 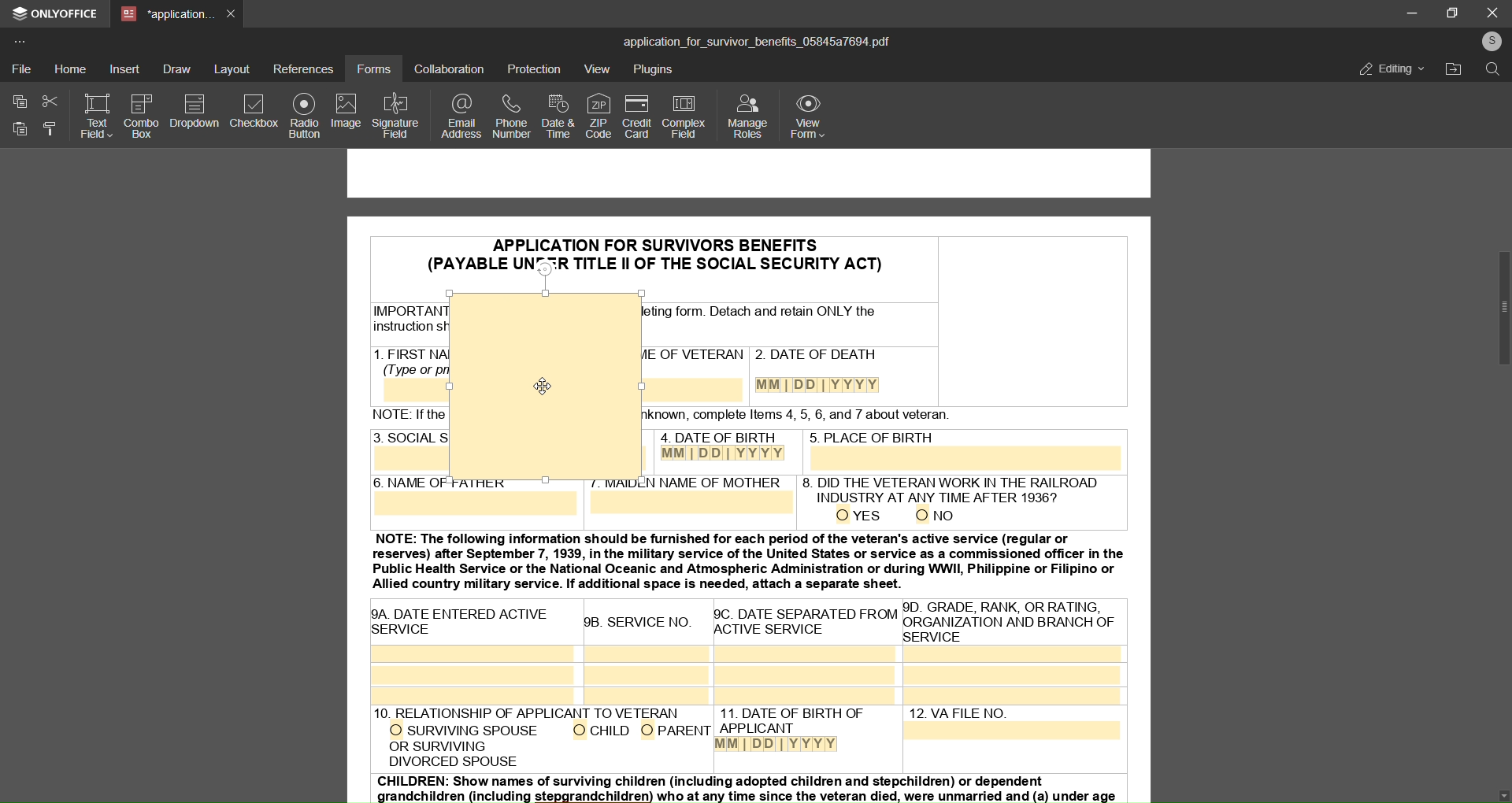 What do you see at coordinates (345, 113) in the screenshot?
I see `image` at bounding box center [345, 113].